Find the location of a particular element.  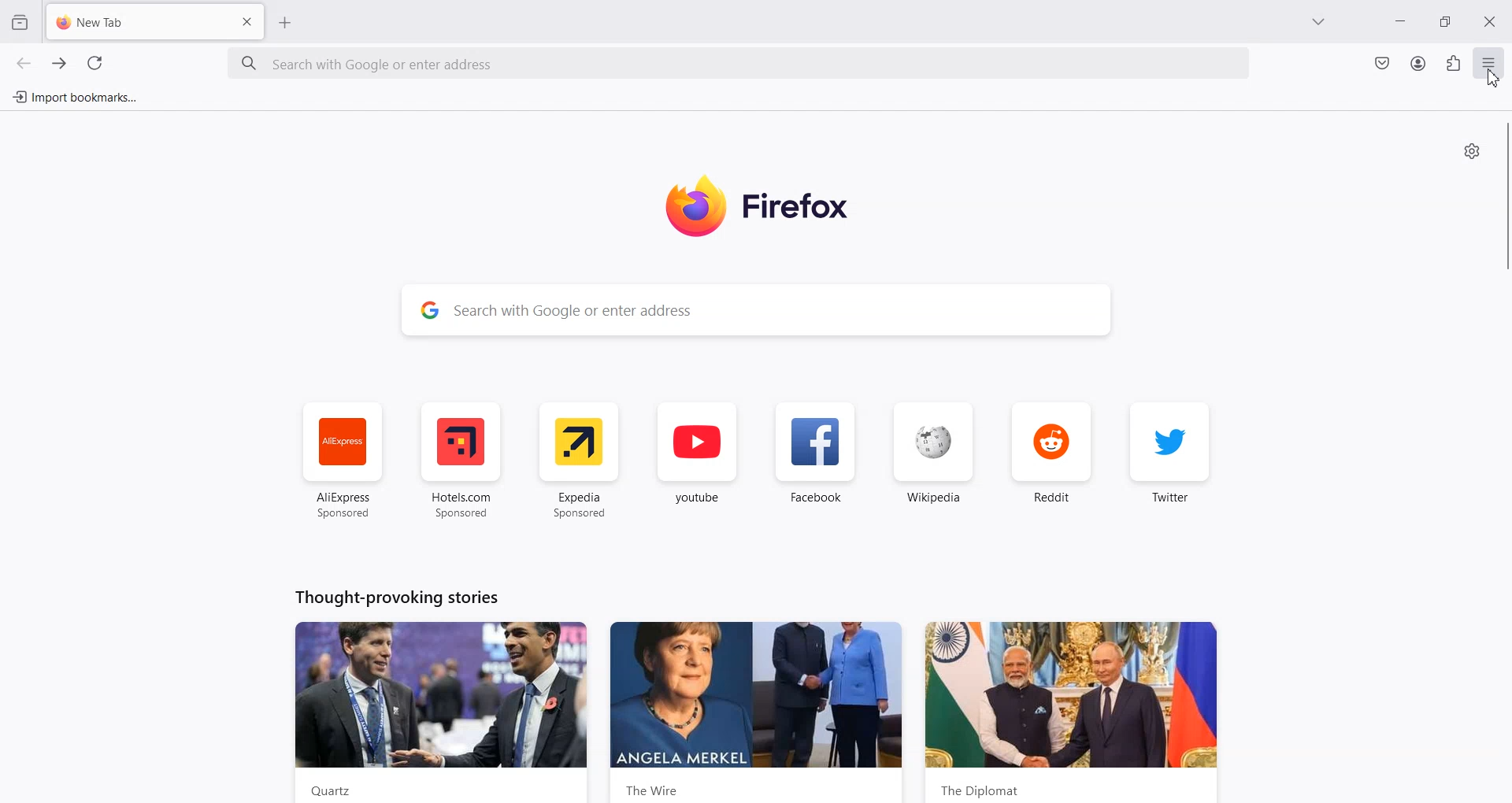

List all Tab is located at coordinates (1317, 21).